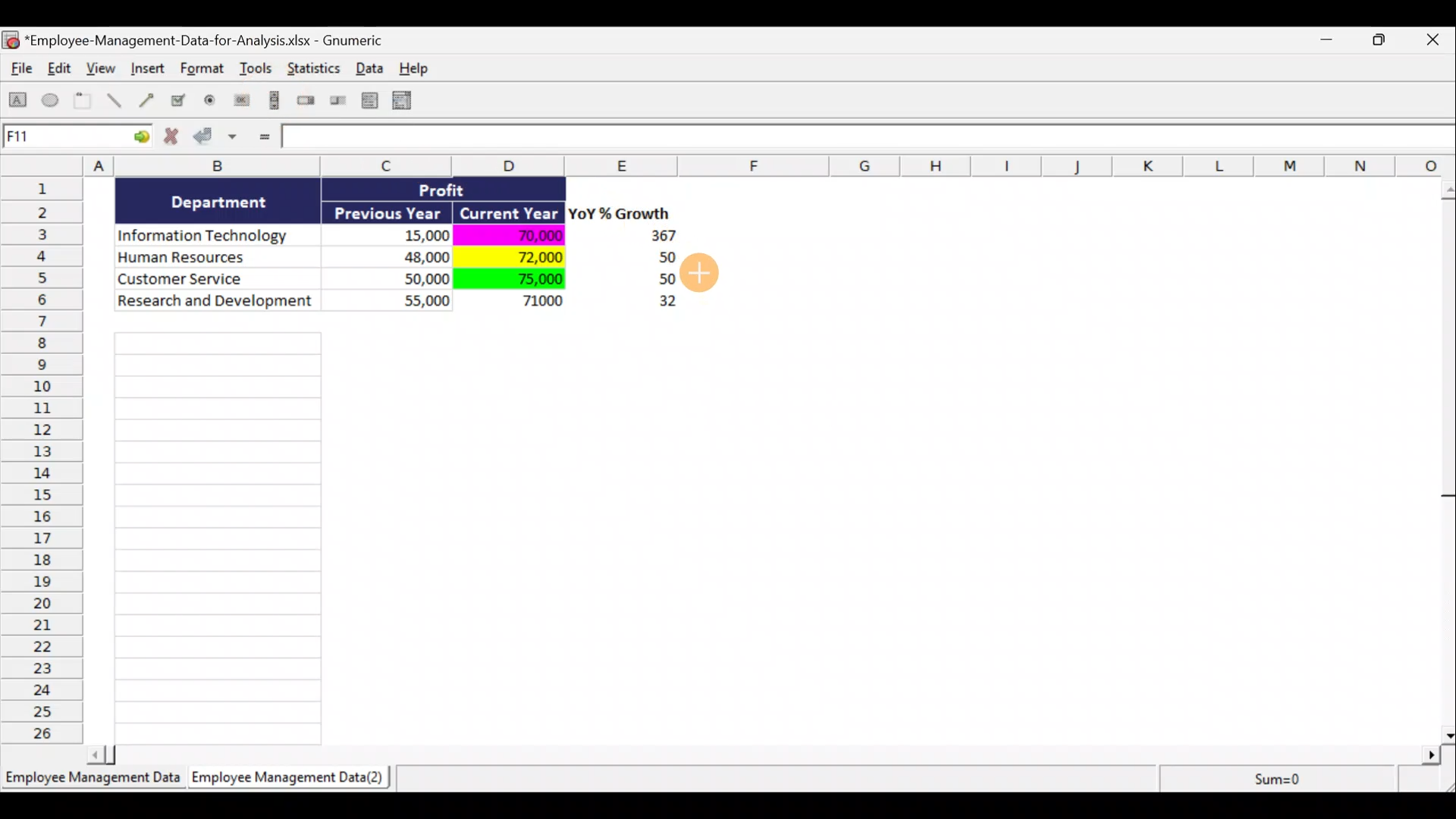 The height and width of the screenshot is (819, 1456). What do you see at coordinates (18, 102) in the screenshot?
I see `Create a rectangle object` at bounding box center [18, 102].